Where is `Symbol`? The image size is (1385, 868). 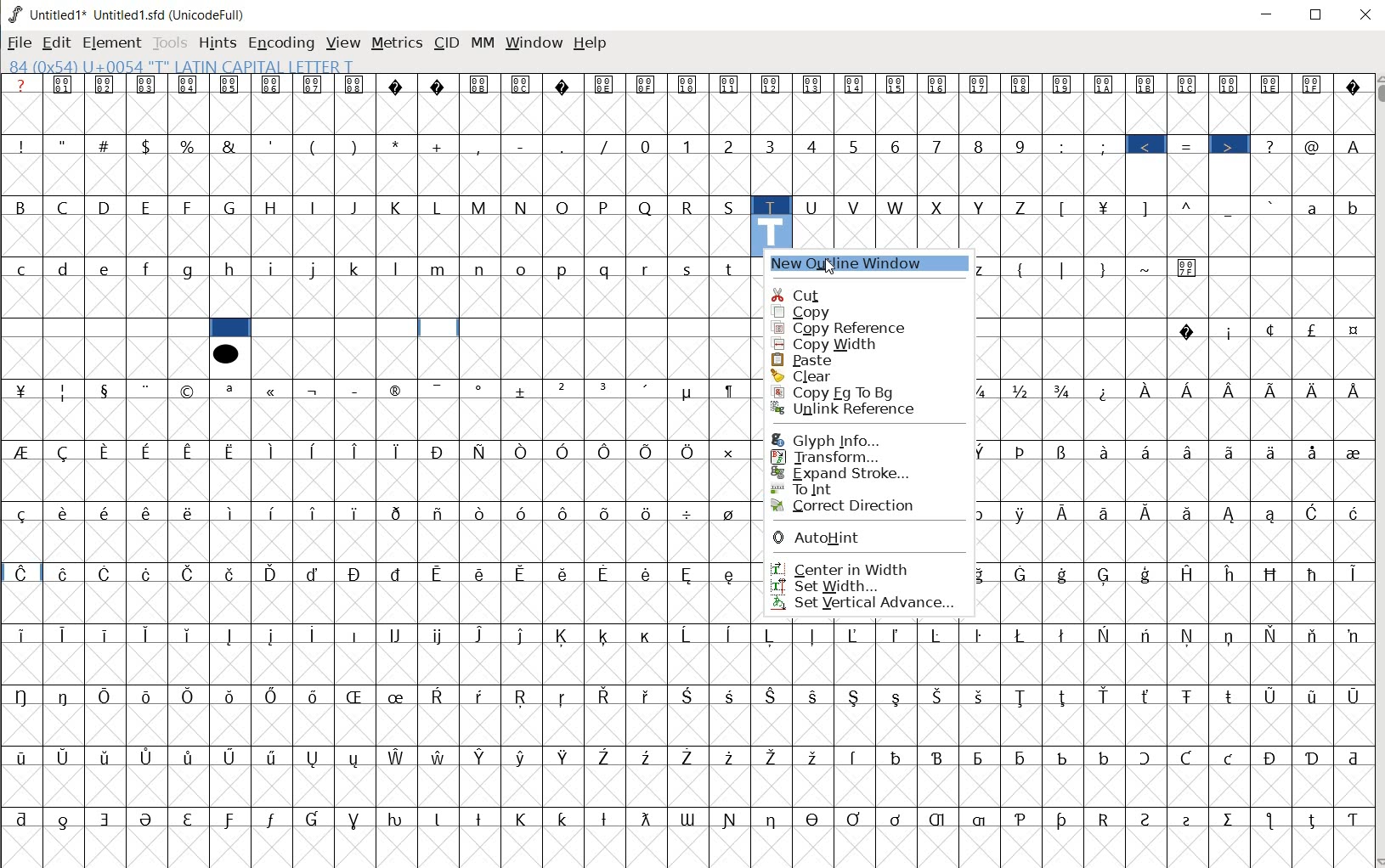
Symbol is located at coordinates (1230, 694).